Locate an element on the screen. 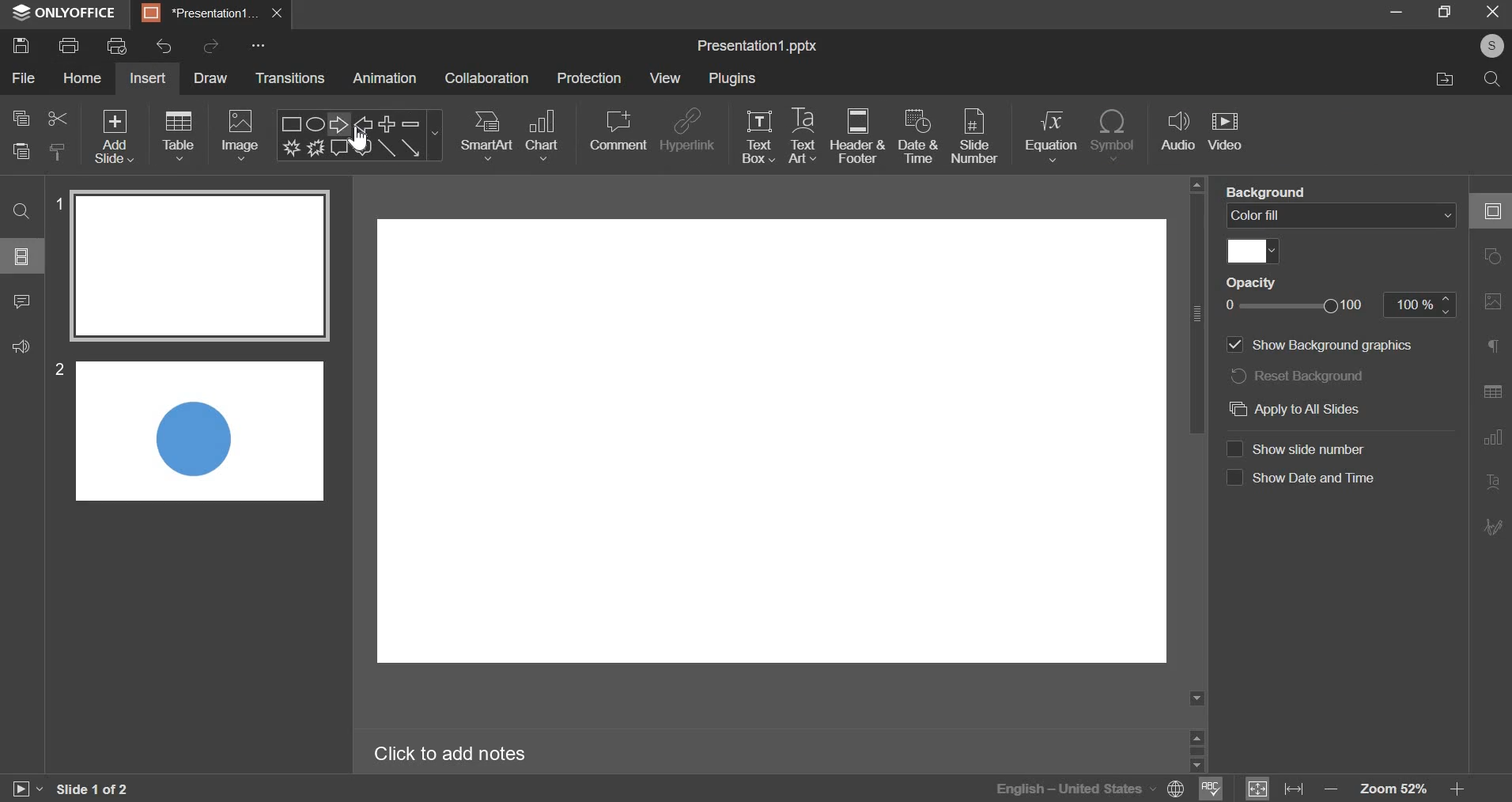 Image resolution: width=1512 pixels, height=802 pixels. scroll down is located at coordinates (1198, 698).